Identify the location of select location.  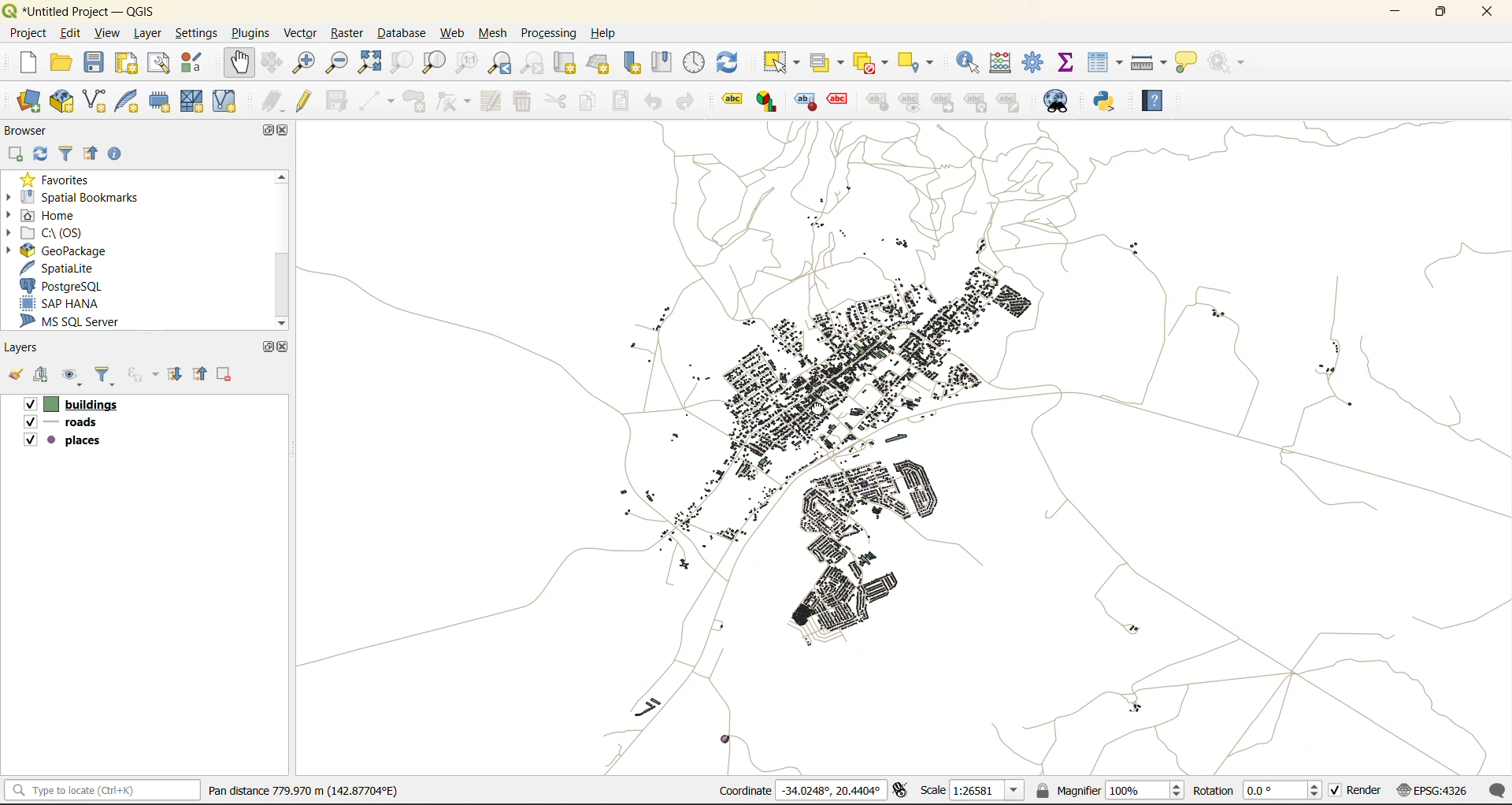
(925, 63).